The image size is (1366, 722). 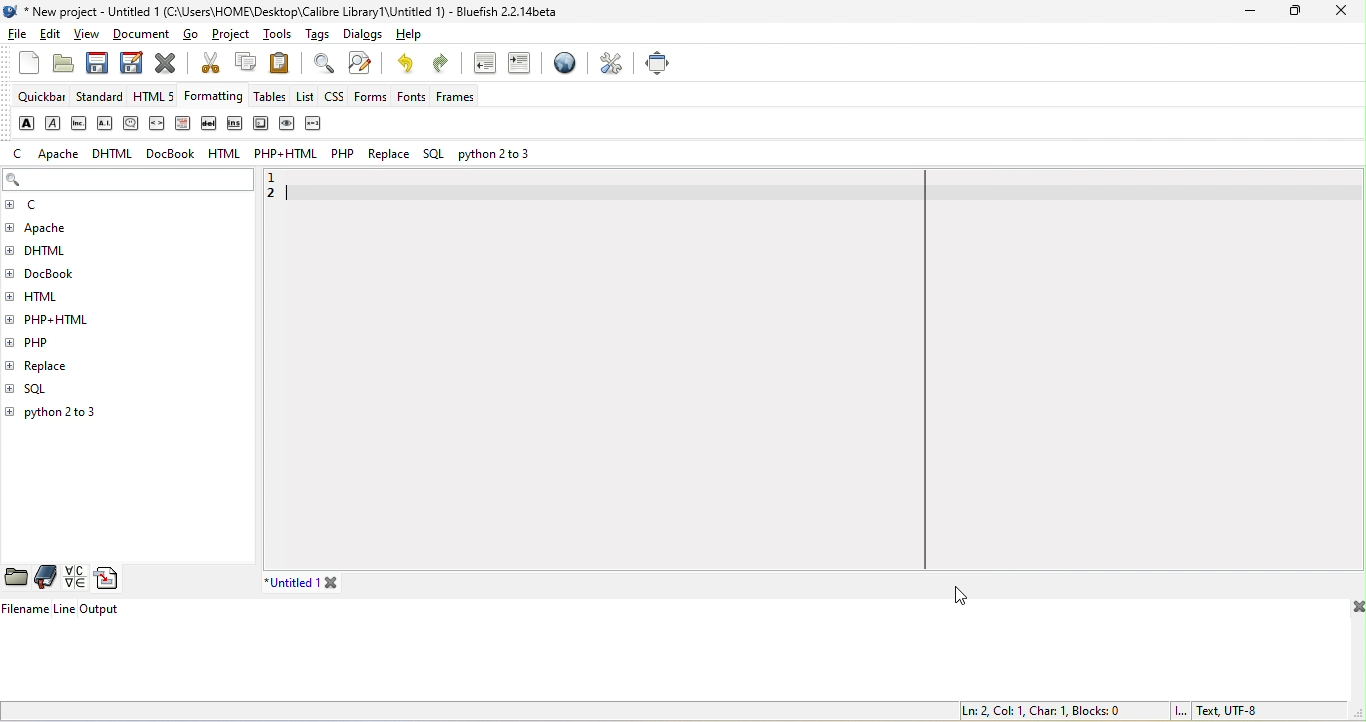 I want to click on docbook, so click(x=174, y=154).